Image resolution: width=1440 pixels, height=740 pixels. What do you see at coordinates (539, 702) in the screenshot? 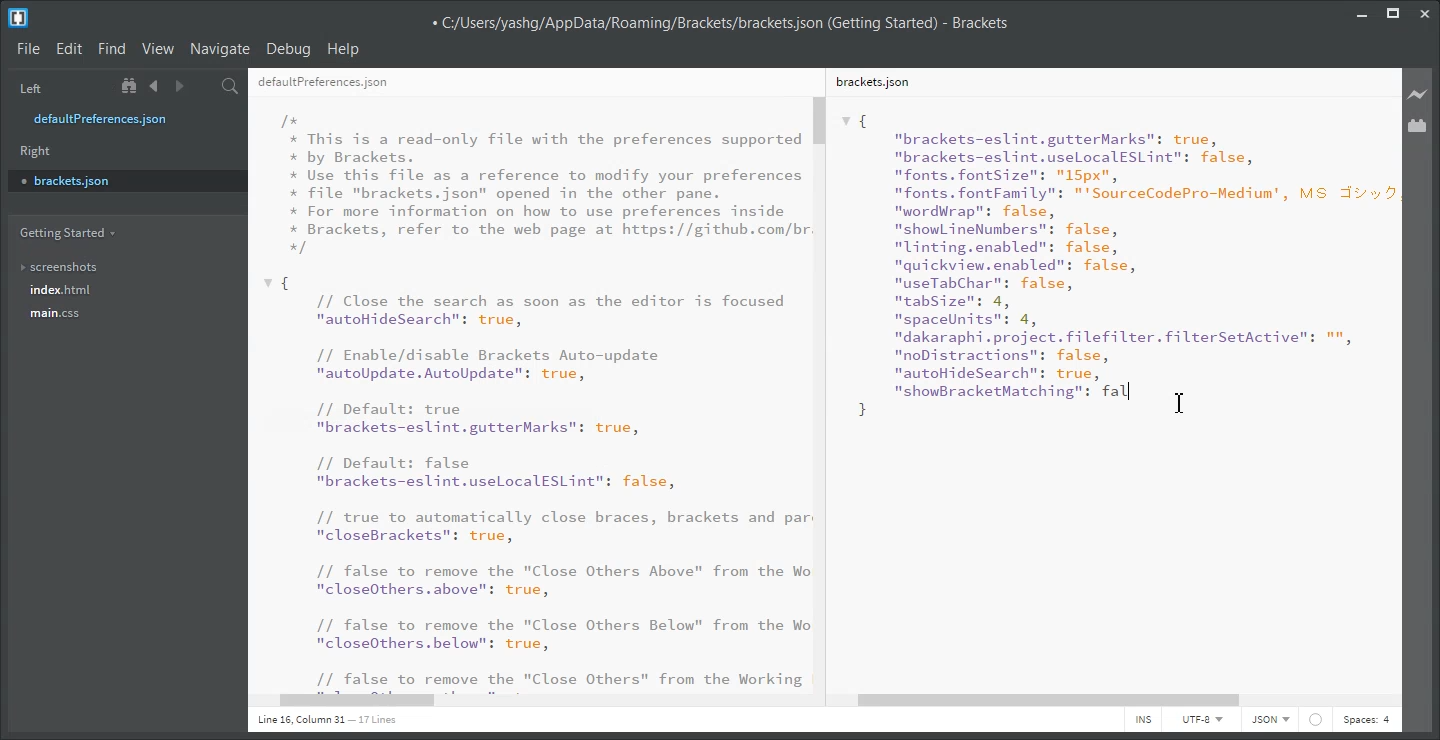
I see `Horizontal Scroll Bar` at bounding box center [539, 702].